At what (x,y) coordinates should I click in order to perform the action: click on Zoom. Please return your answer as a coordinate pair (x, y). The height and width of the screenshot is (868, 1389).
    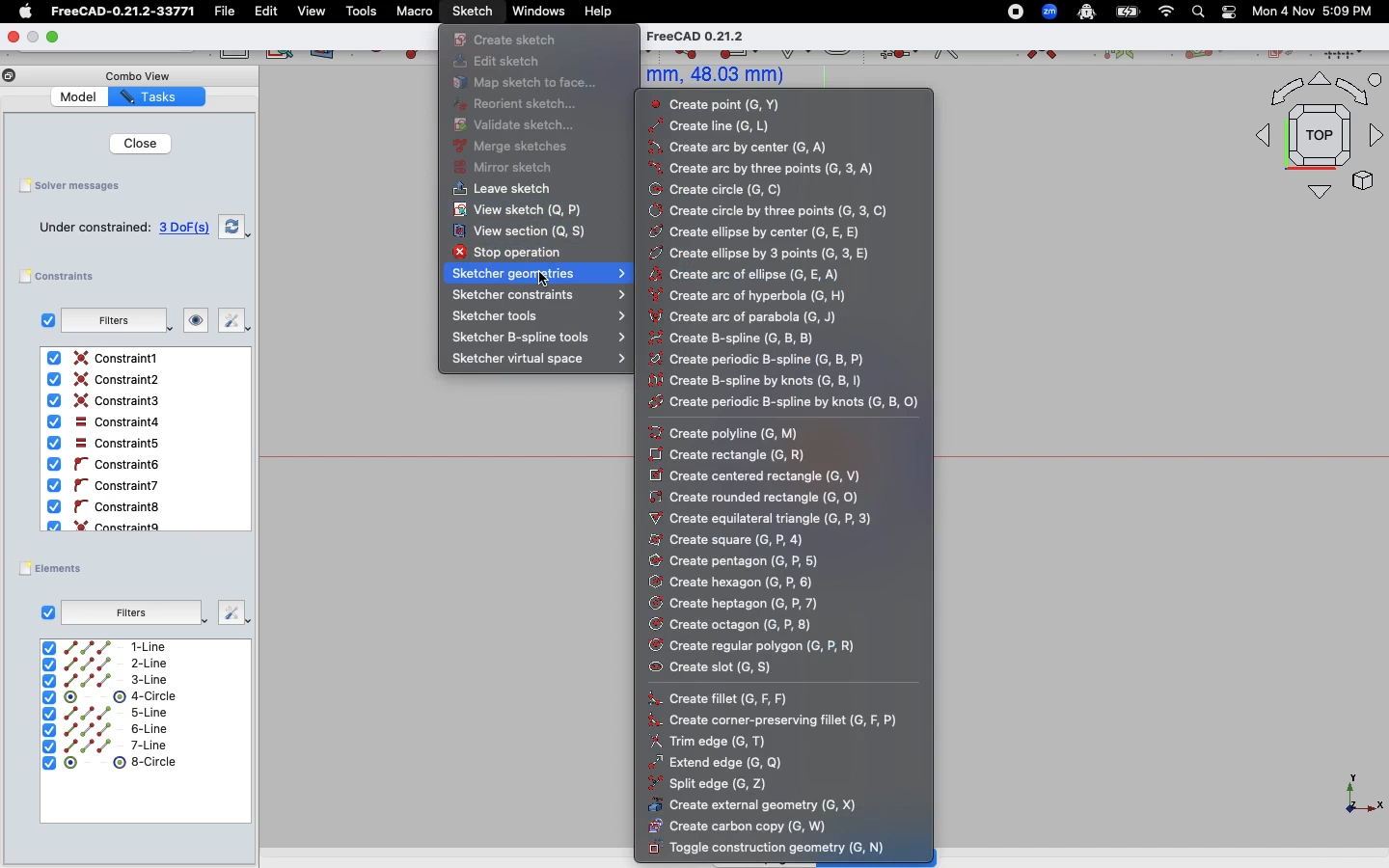
    Looking at the image, I should click on (1050, 12).